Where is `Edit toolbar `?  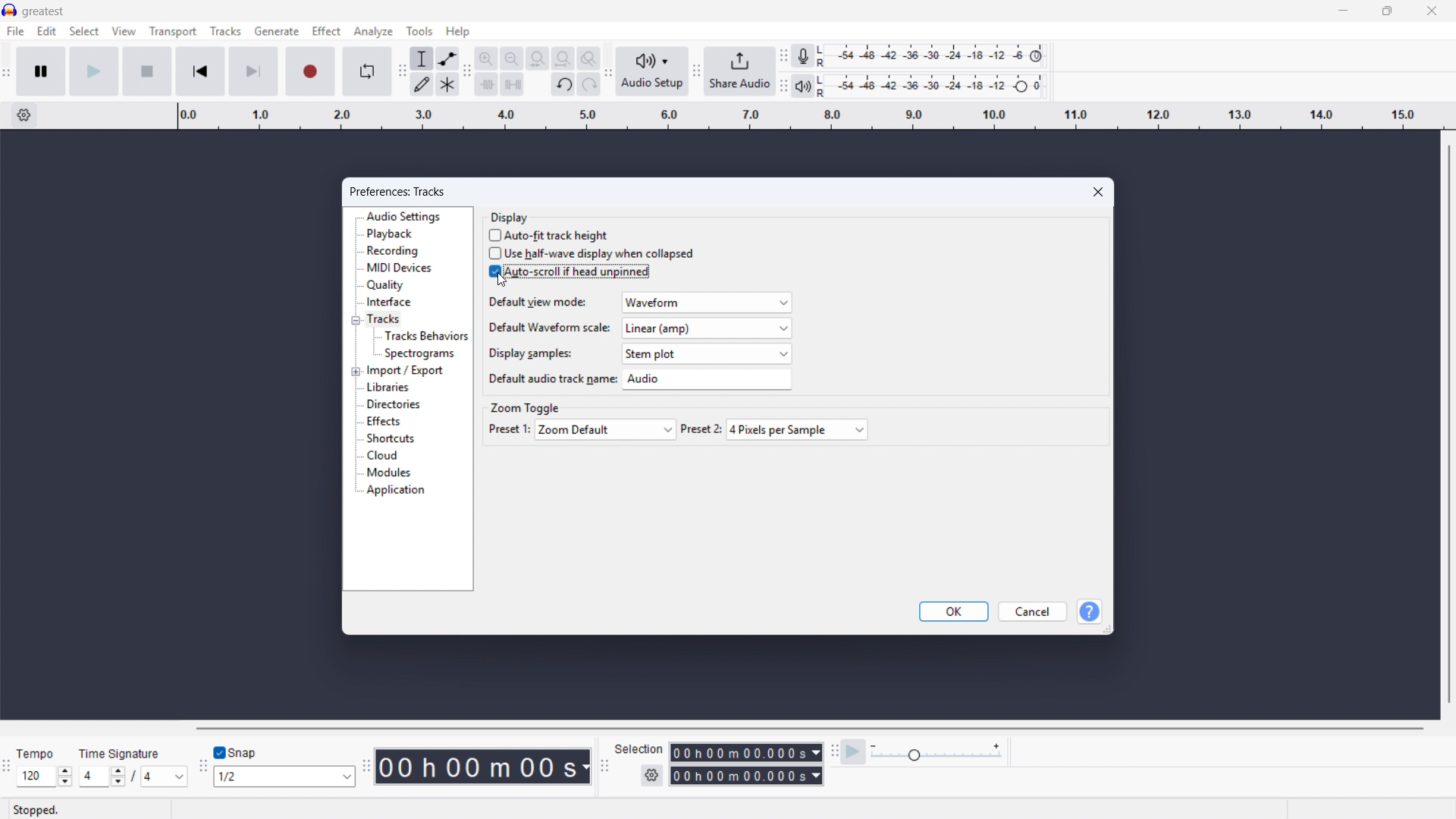
Edit toolbar  is located at coordinates (469, 73).